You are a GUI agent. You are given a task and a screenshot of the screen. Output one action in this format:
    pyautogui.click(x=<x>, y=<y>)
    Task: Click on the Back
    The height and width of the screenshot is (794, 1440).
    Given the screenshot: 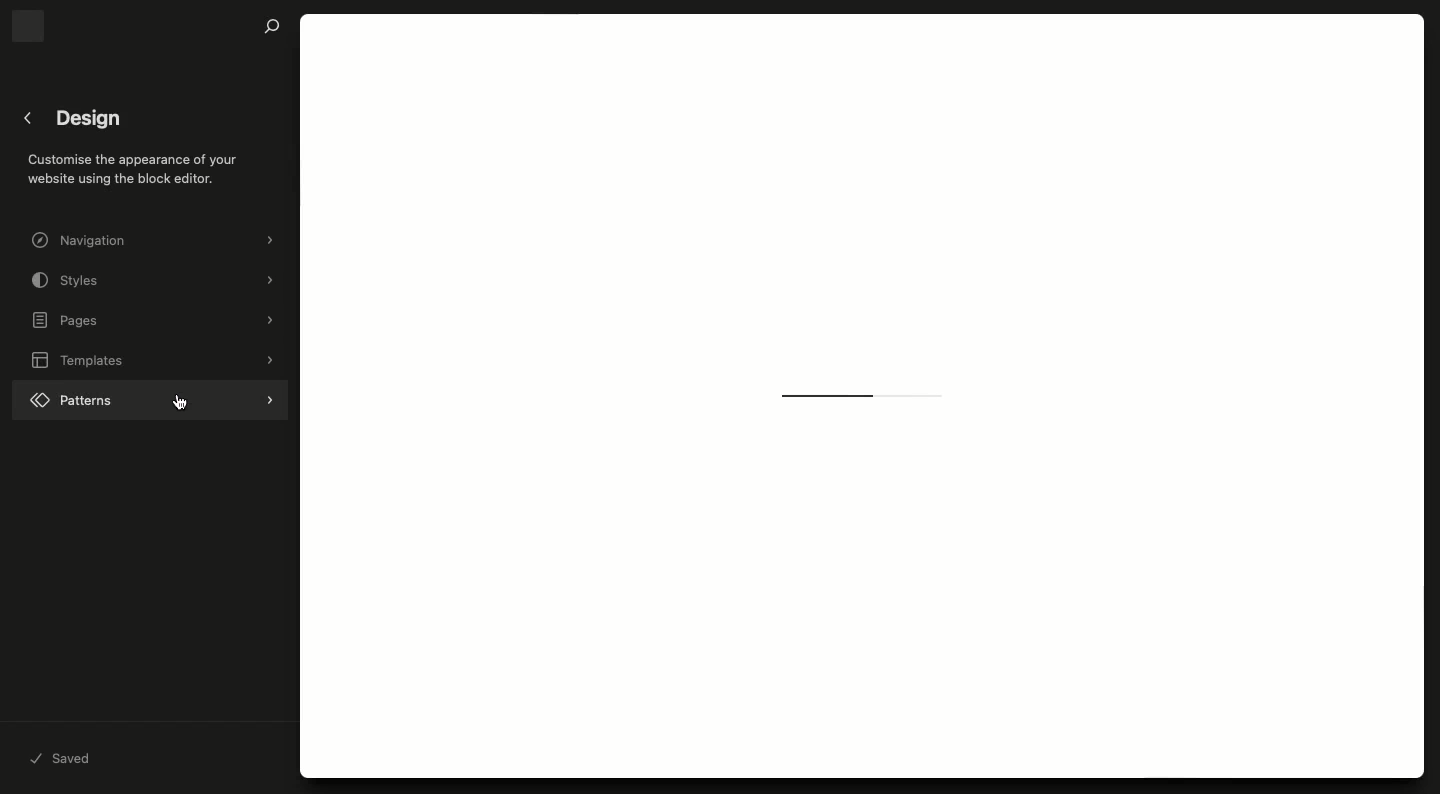 What is the action you would take?
    pyautogui.click(x=29, y=118)
    